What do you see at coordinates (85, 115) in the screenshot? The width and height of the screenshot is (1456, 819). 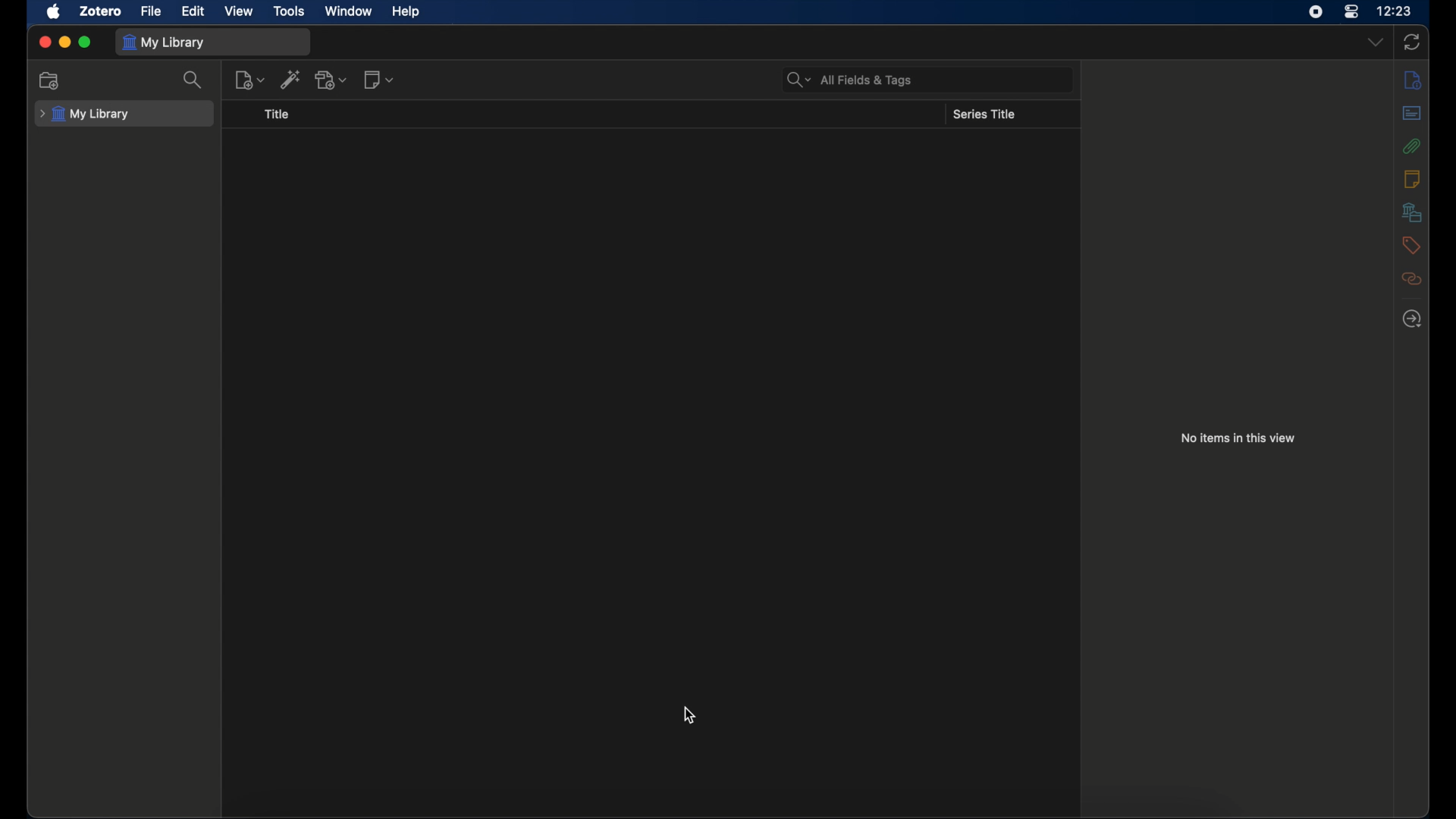 I see `my library` at bounding box center [85, 115].